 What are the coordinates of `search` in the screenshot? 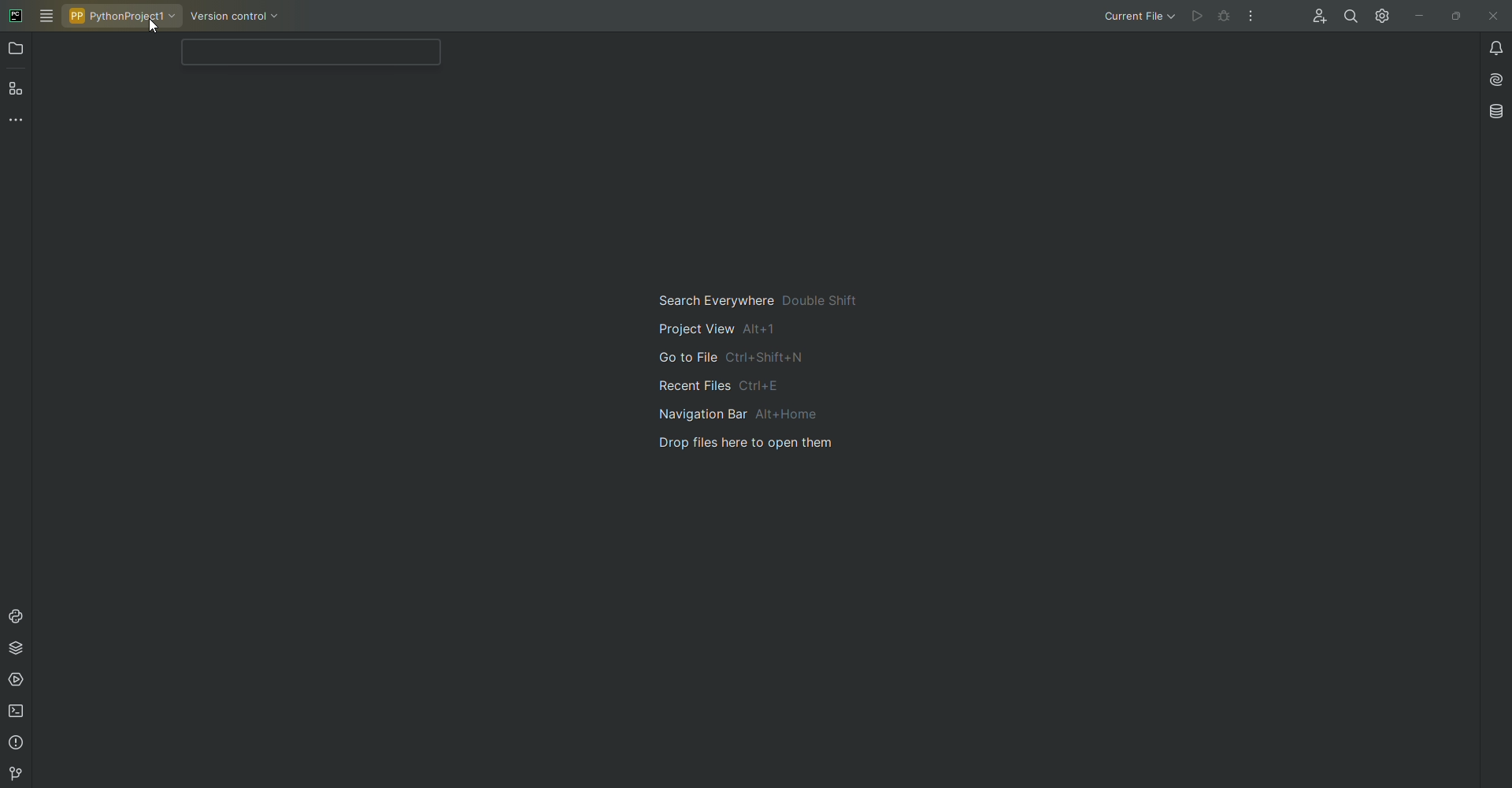 It's located at (307, 53).